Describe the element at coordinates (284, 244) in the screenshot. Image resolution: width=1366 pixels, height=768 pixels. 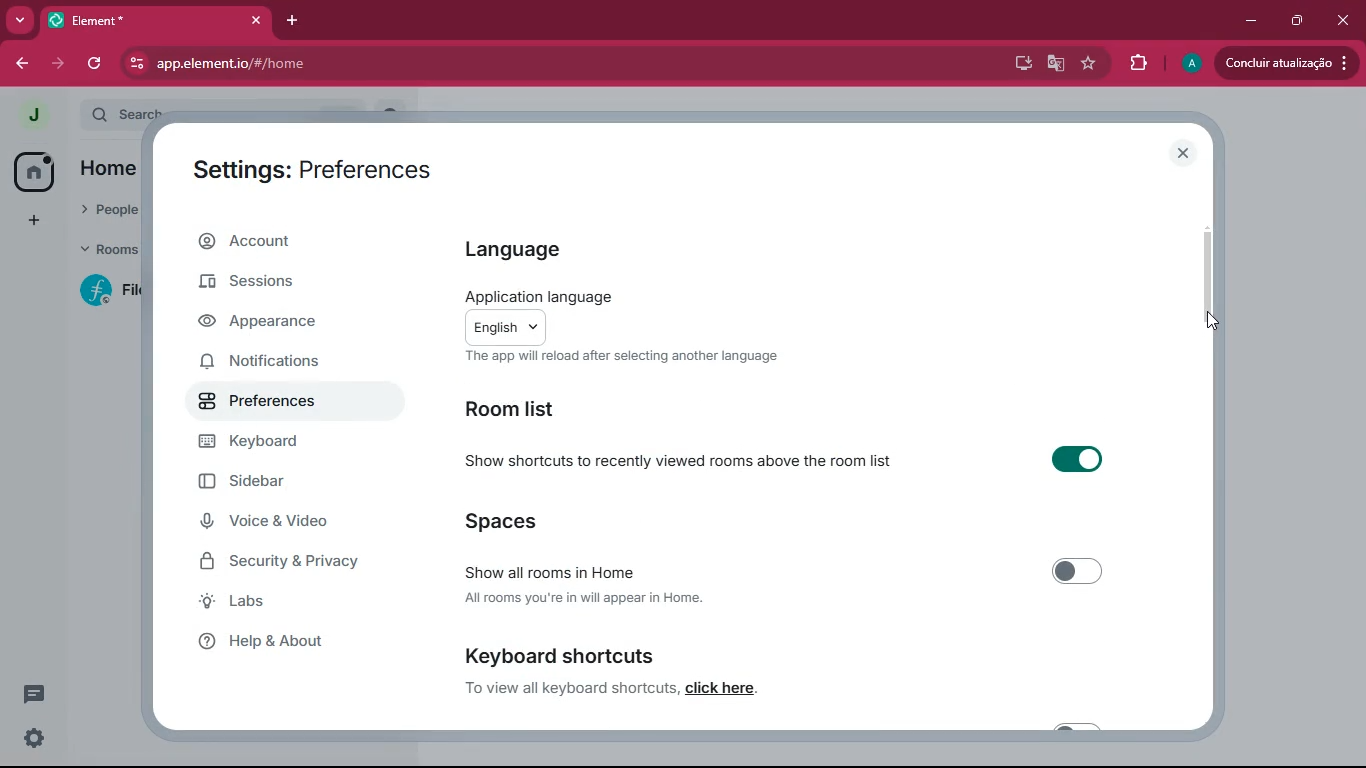
I see `account` at that location.